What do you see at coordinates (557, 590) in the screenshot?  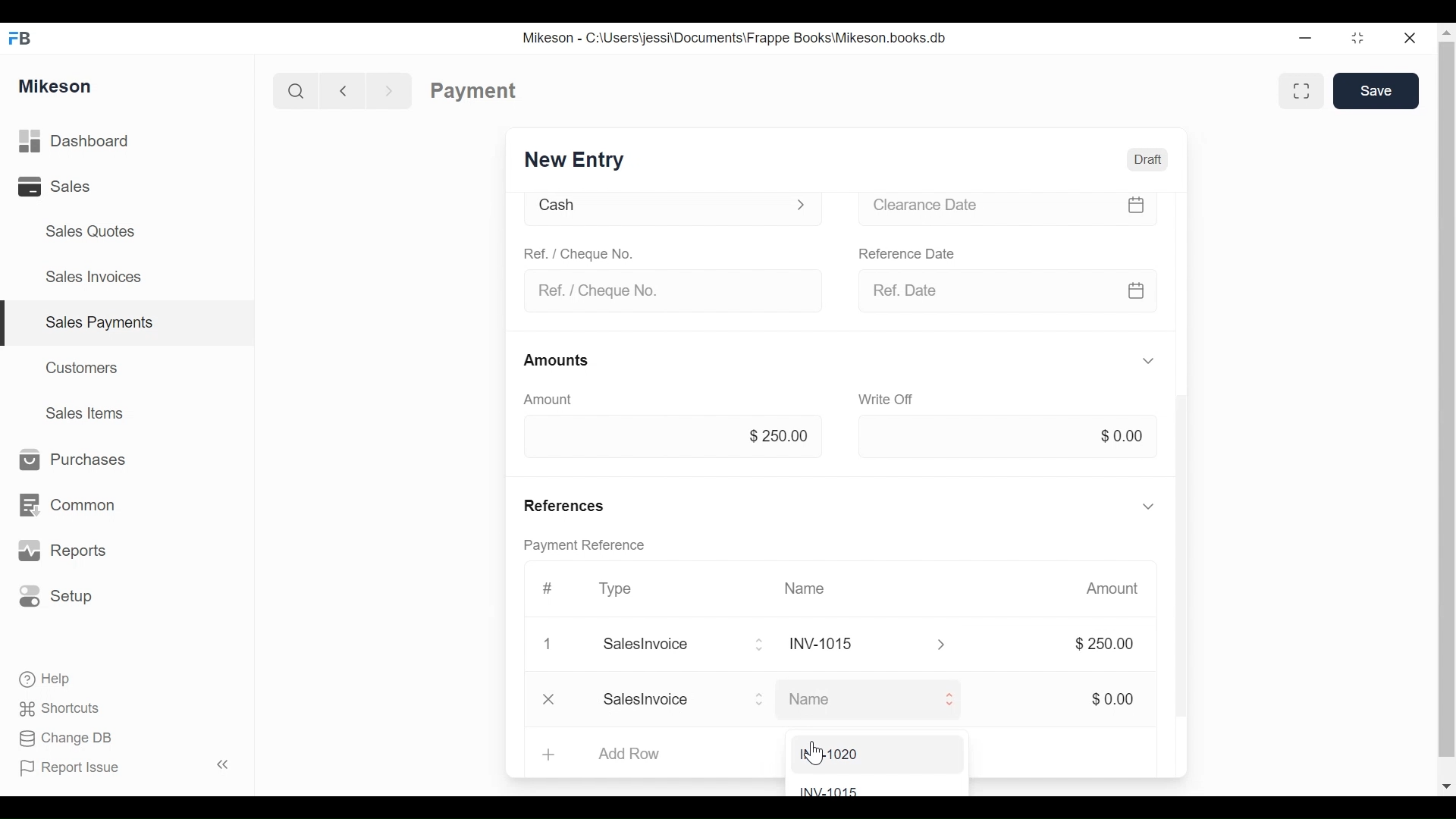 I see `Hashtag` at bounding box center [557, 590].